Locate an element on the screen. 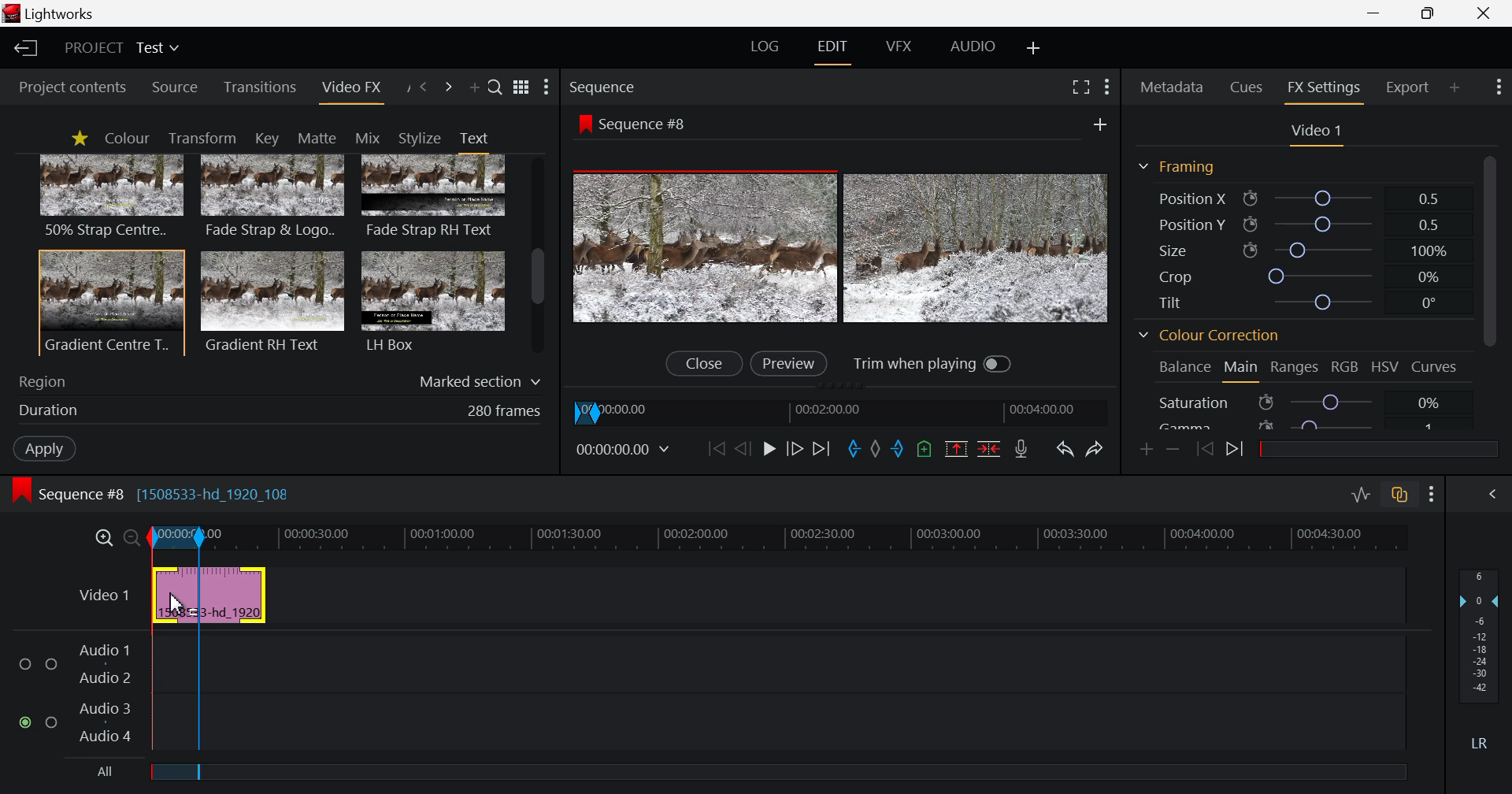 The width and height of the screenshot is (1512, 794). Position Y is located at coordinates (1303, 224).